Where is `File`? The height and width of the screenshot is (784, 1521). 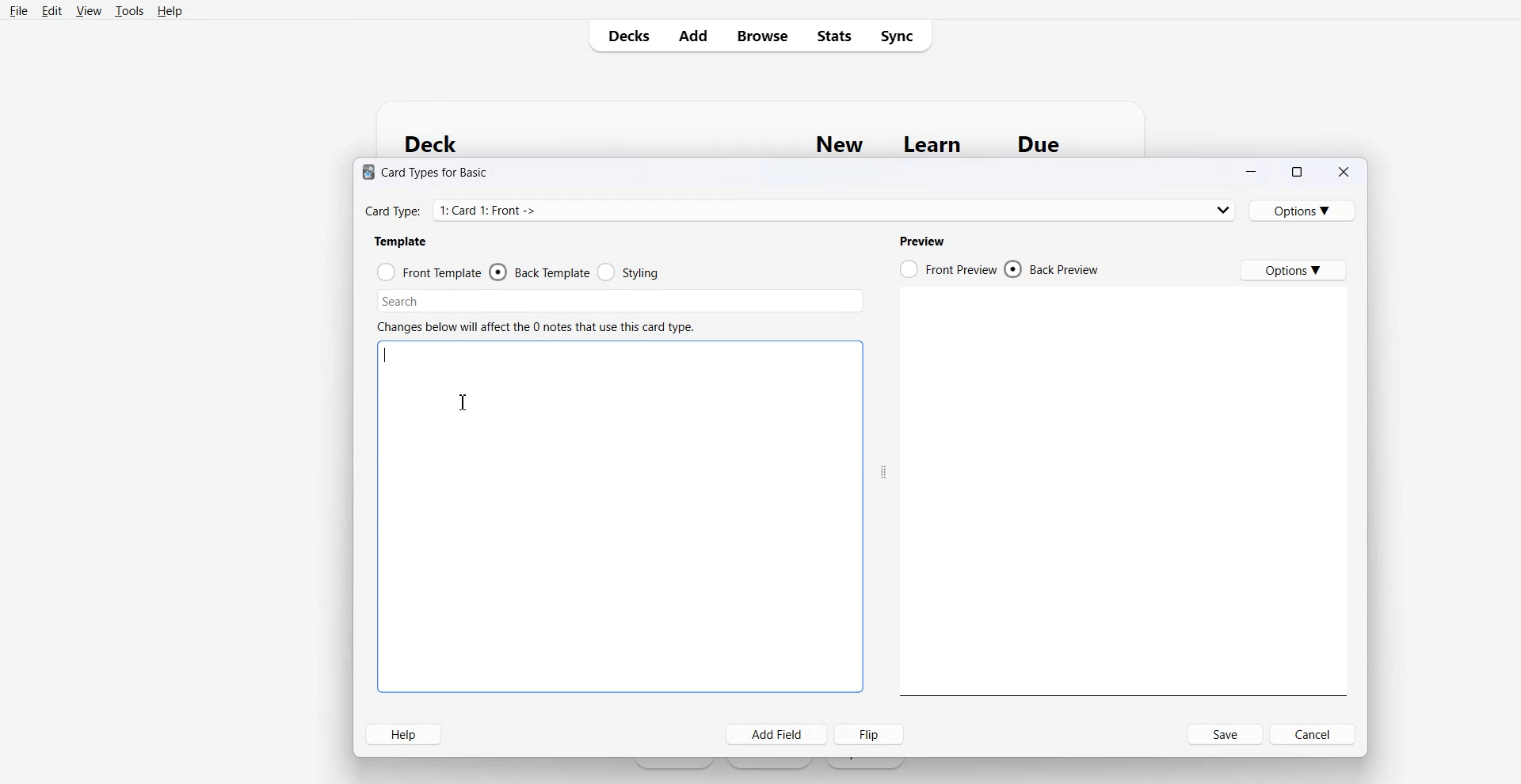 File is located at coordinates (18, 10).